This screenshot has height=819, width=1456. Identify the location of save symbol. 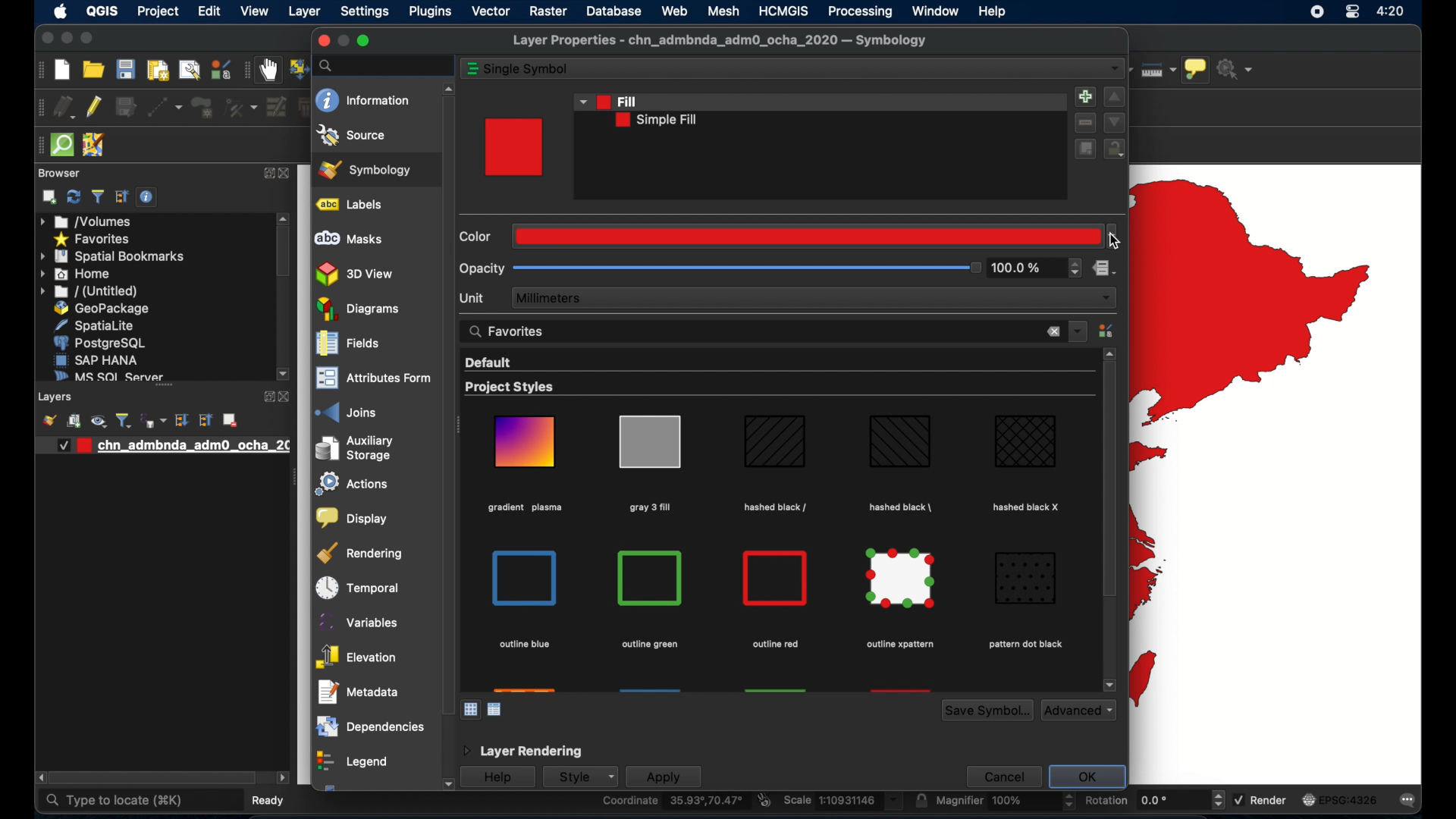
(987, 711).